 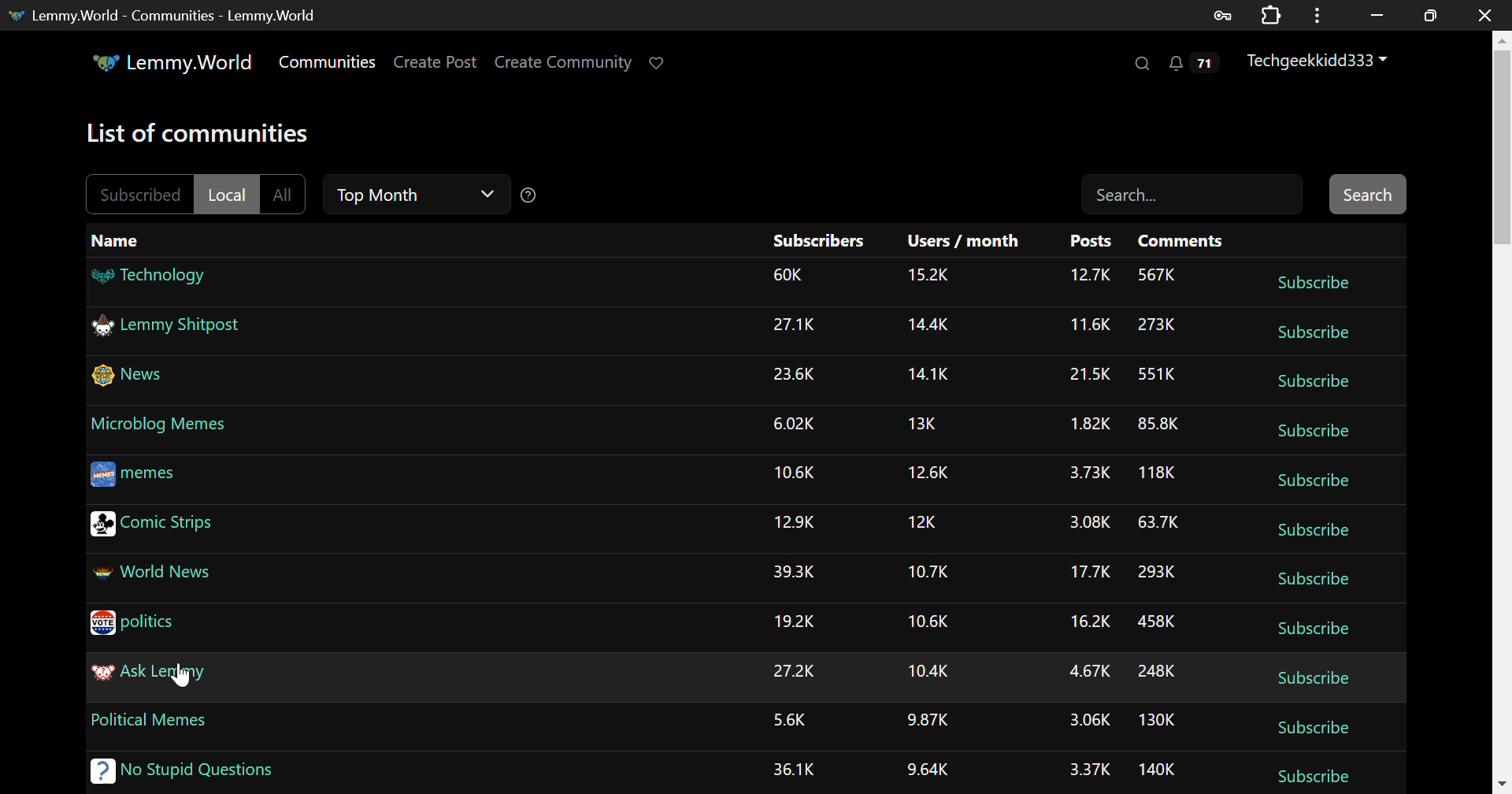 What do you see at coordinates (1097, 239) in the screenshot?
I see `Posts Column Headings` at bounding box center [1097, 239].